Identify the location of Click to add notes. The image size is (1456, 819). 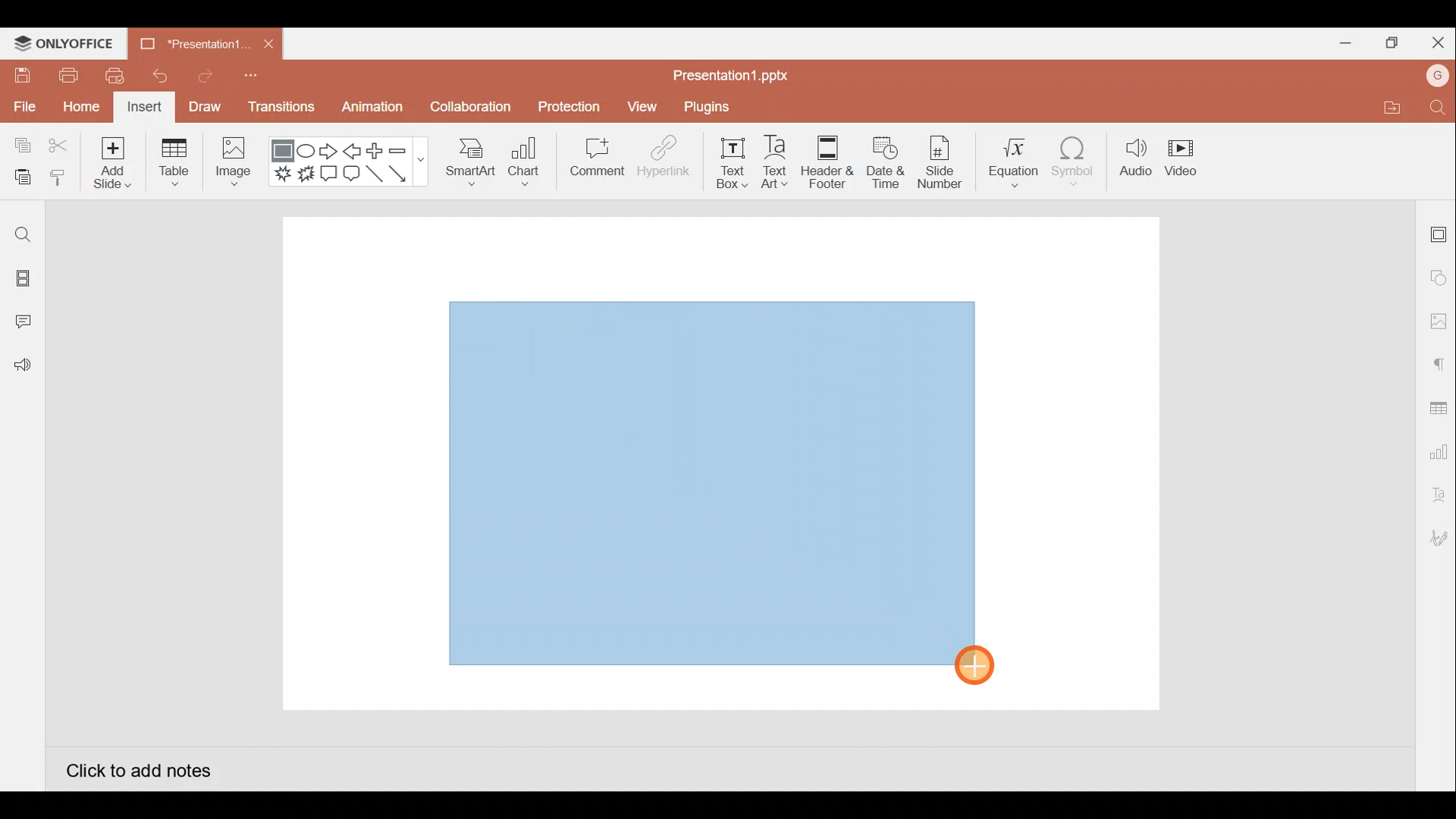
(138, 769).